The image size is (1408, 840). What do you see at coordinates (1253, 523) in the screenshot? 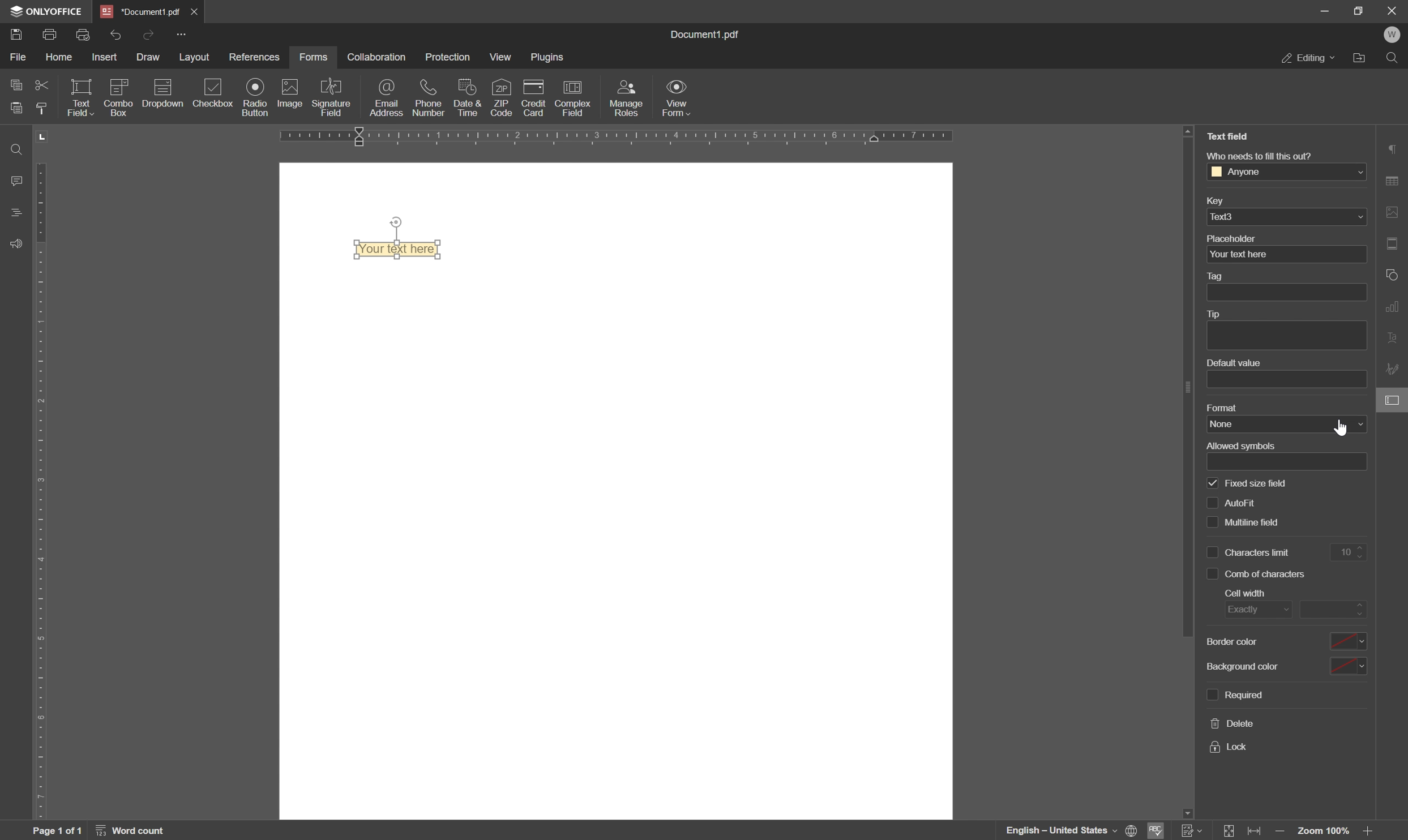
I see `multiline field` at bounding box center [1253, 523].